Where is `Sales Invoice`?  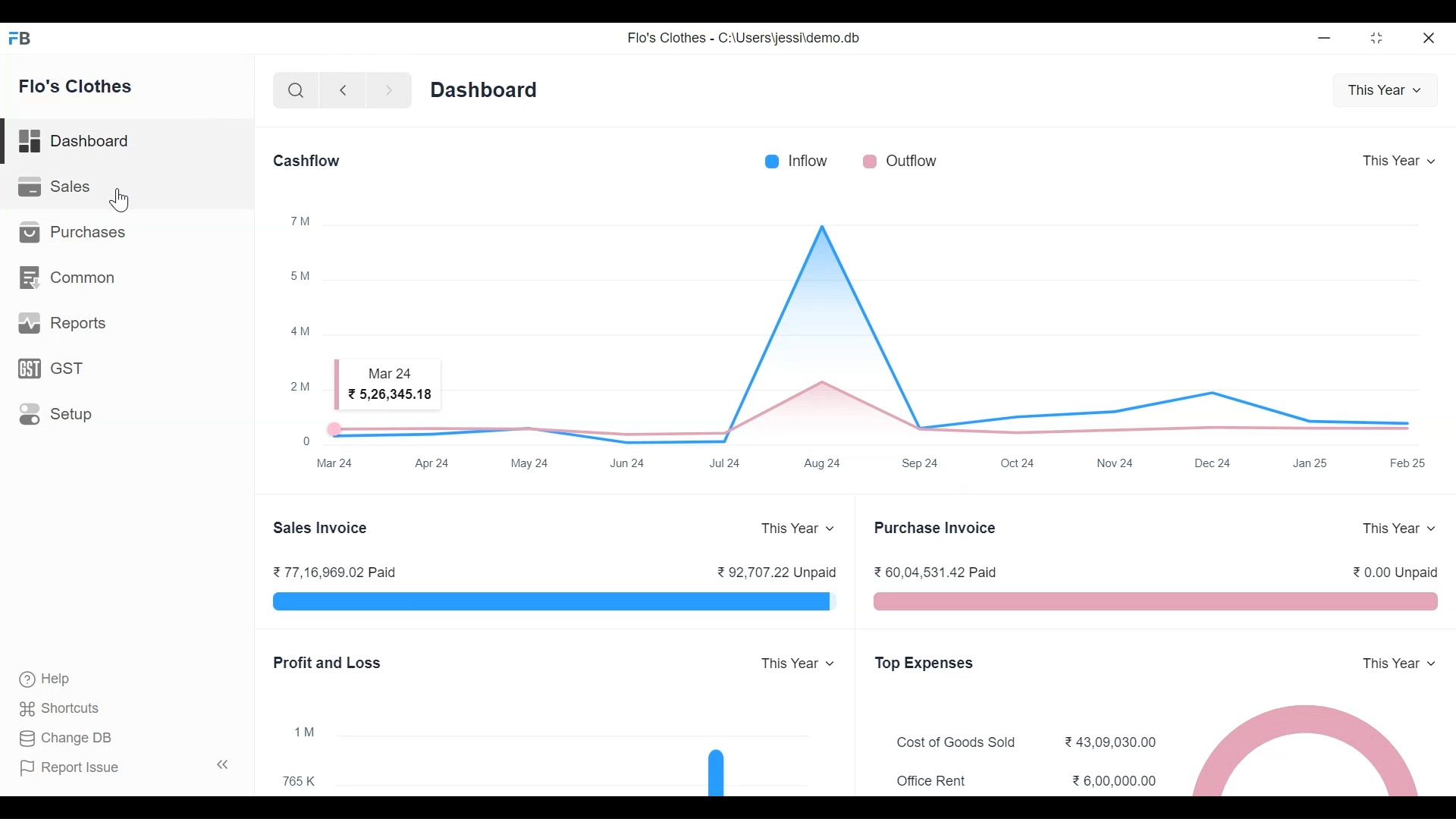 Sales Invoice is located at coordinates (322, 527).